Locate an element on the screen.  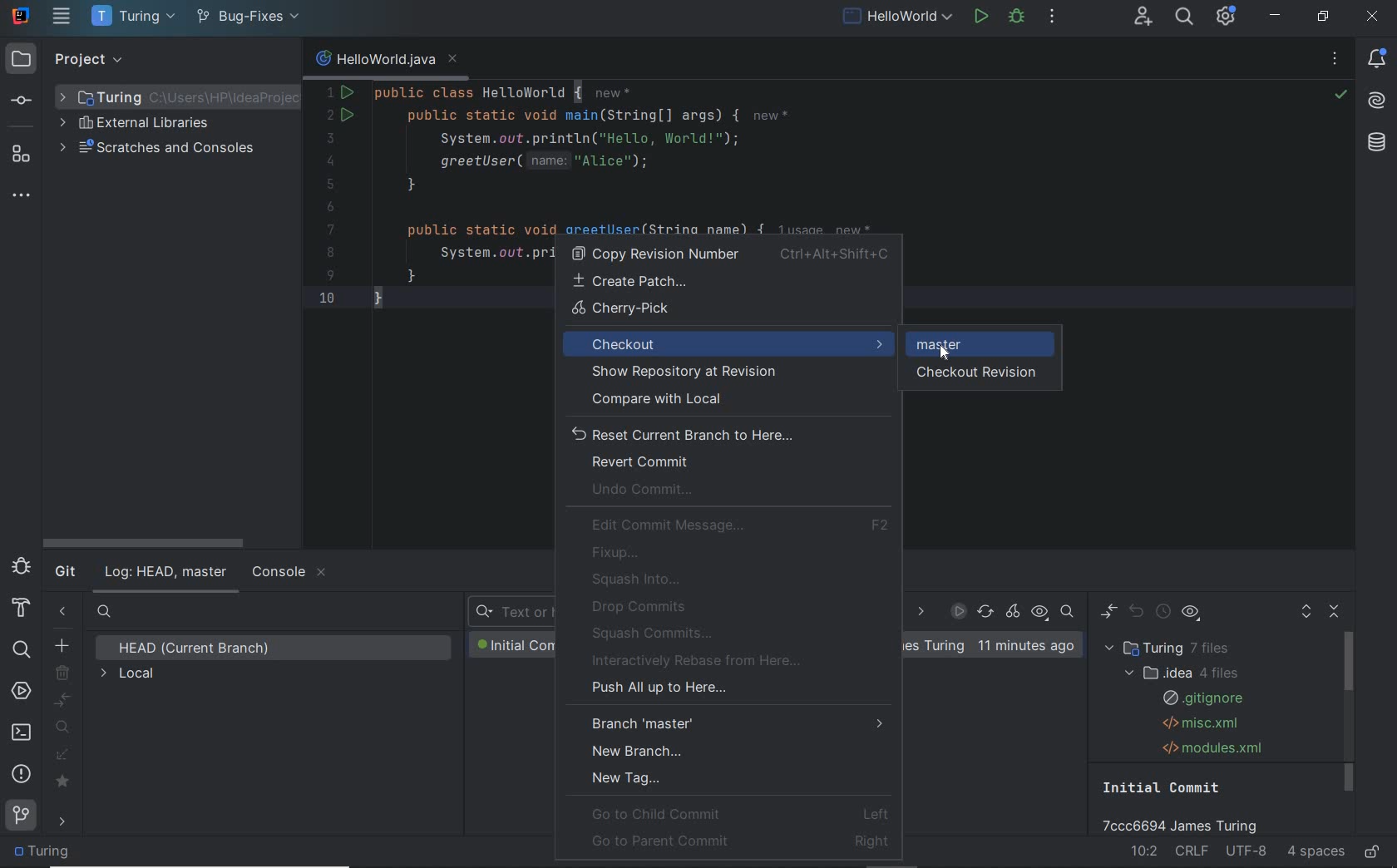
master is located at coordinates (941, 344).